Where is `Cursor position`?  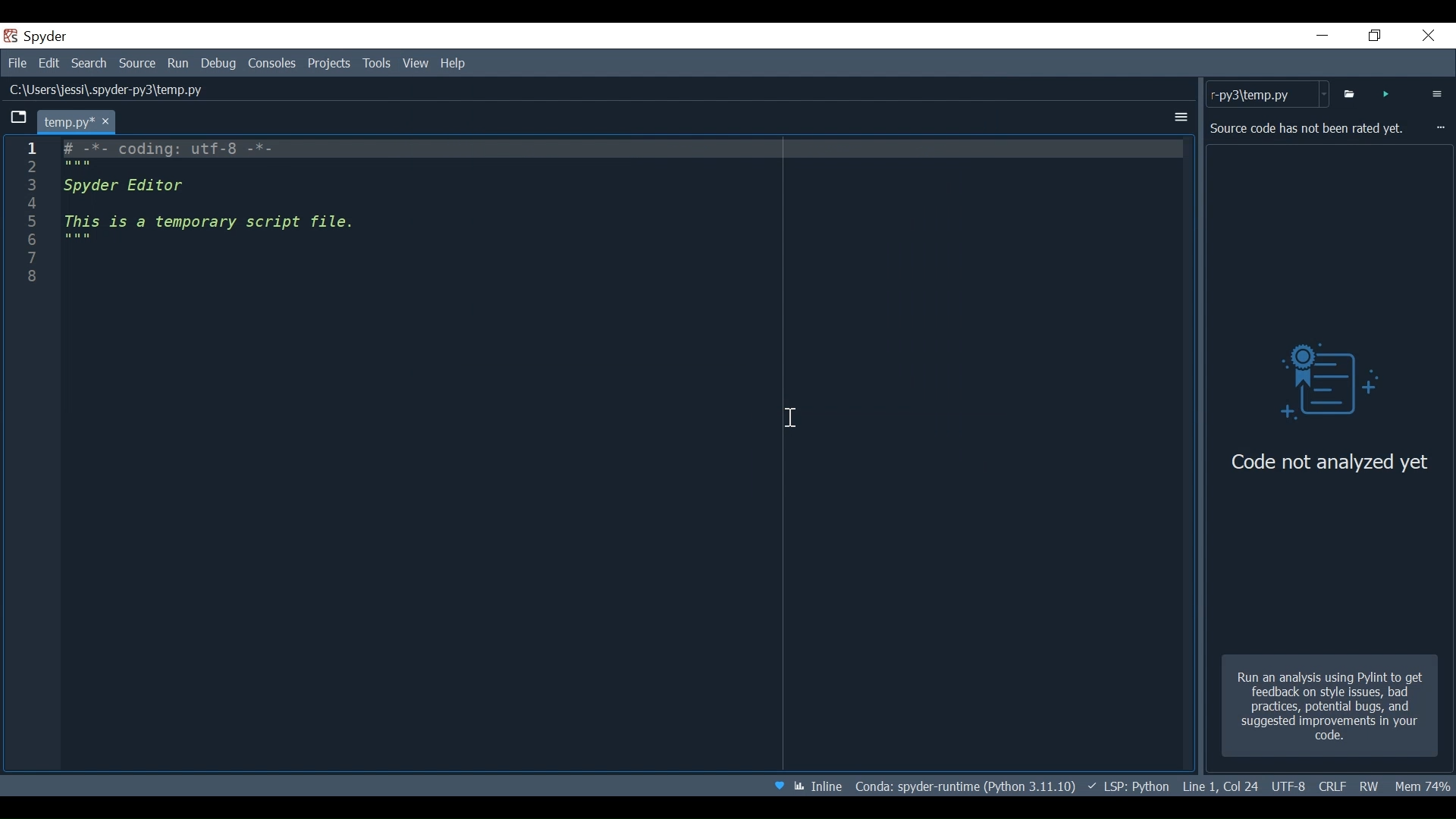
Cursor position is located at coordinates (1219, 784).